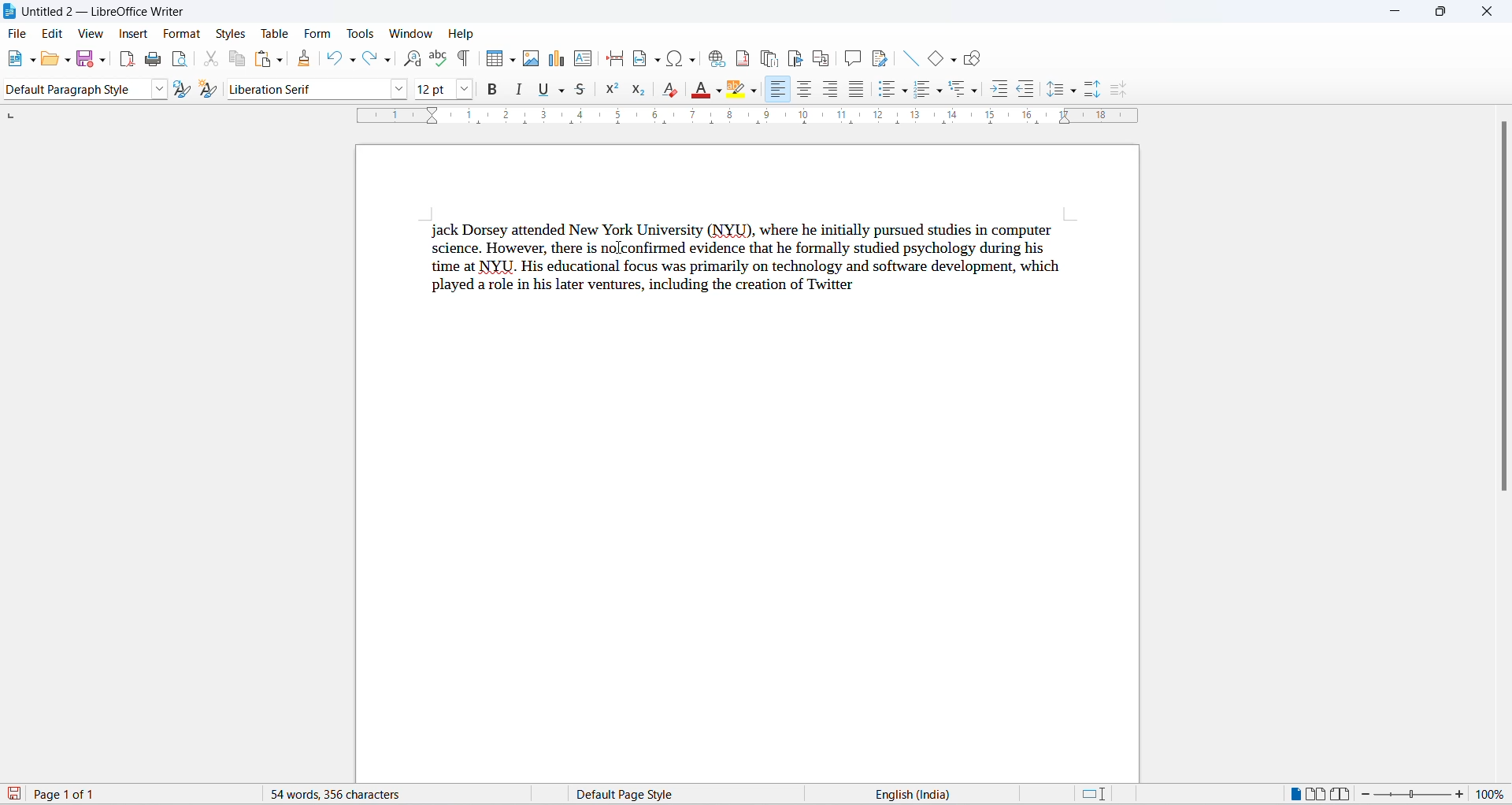 This screenshot has height=805, width=1512. Describe the element at coordinates (692, 58) in the screenshot. I see `special character options` at that location.